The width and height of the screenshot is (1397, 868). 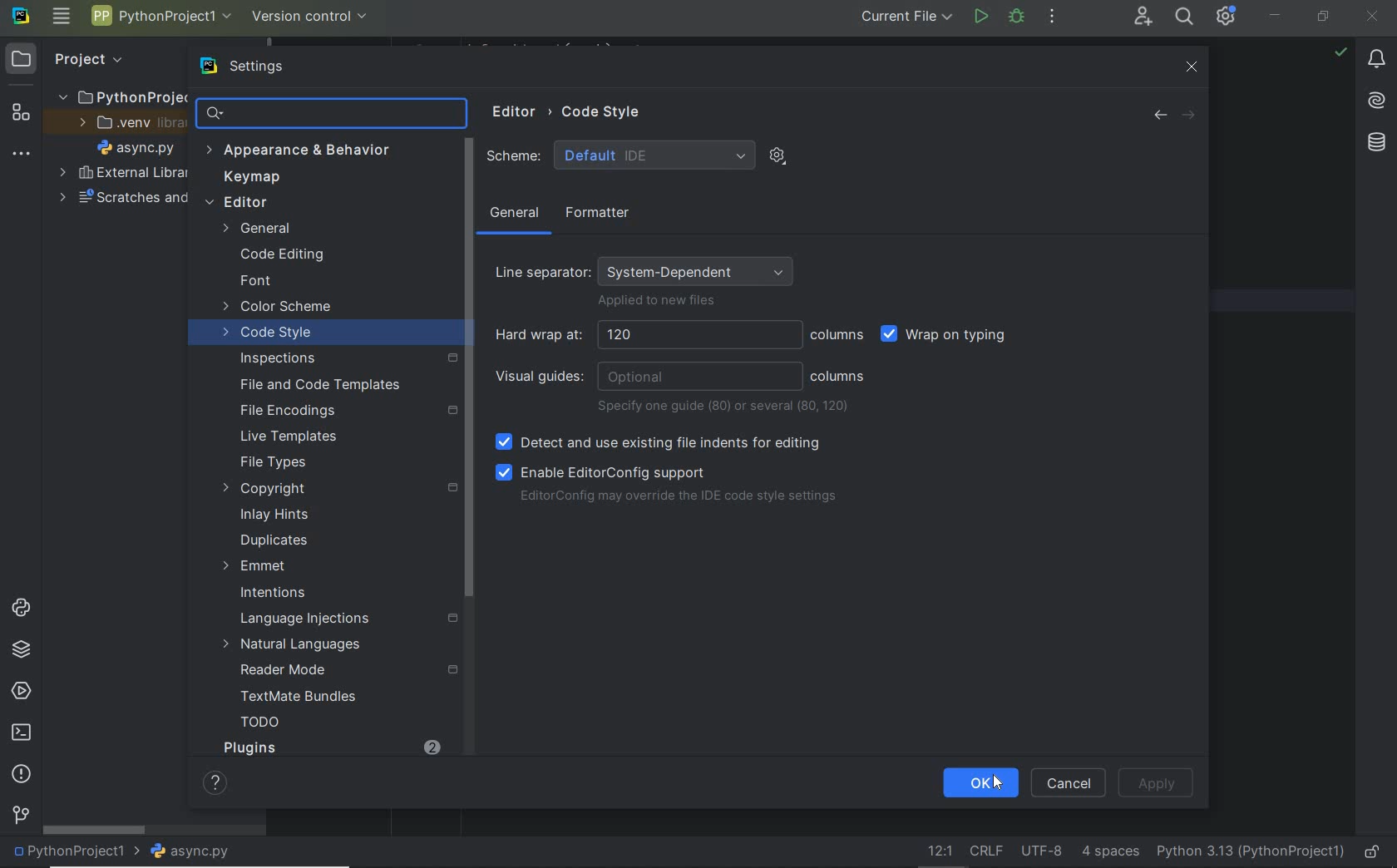 What do you see at coordinates (21, 609) in the screenshot?
I see `python console` at bounding box center [21, 609].